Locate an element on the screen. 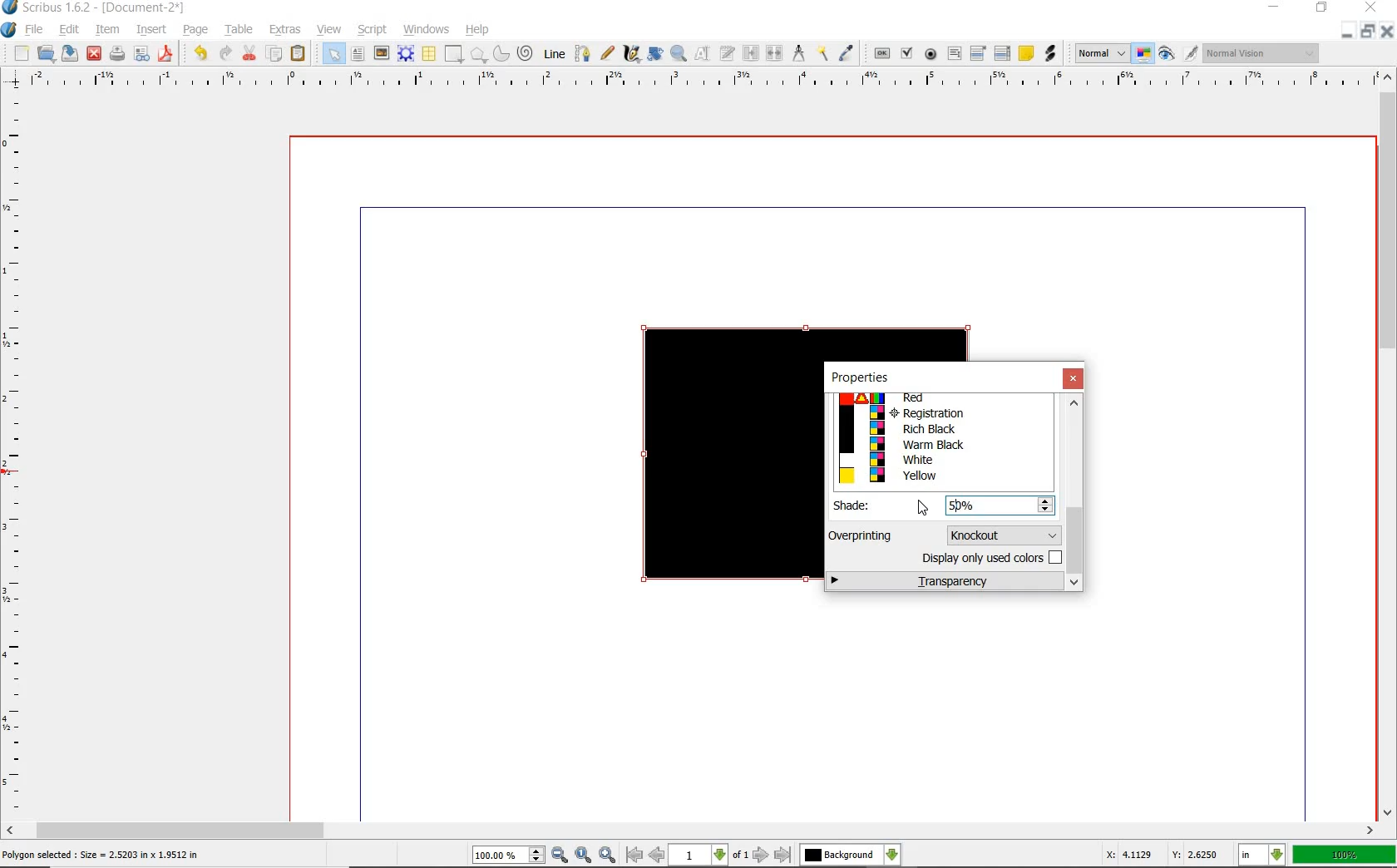  Red is located at coordinates (937, 399).